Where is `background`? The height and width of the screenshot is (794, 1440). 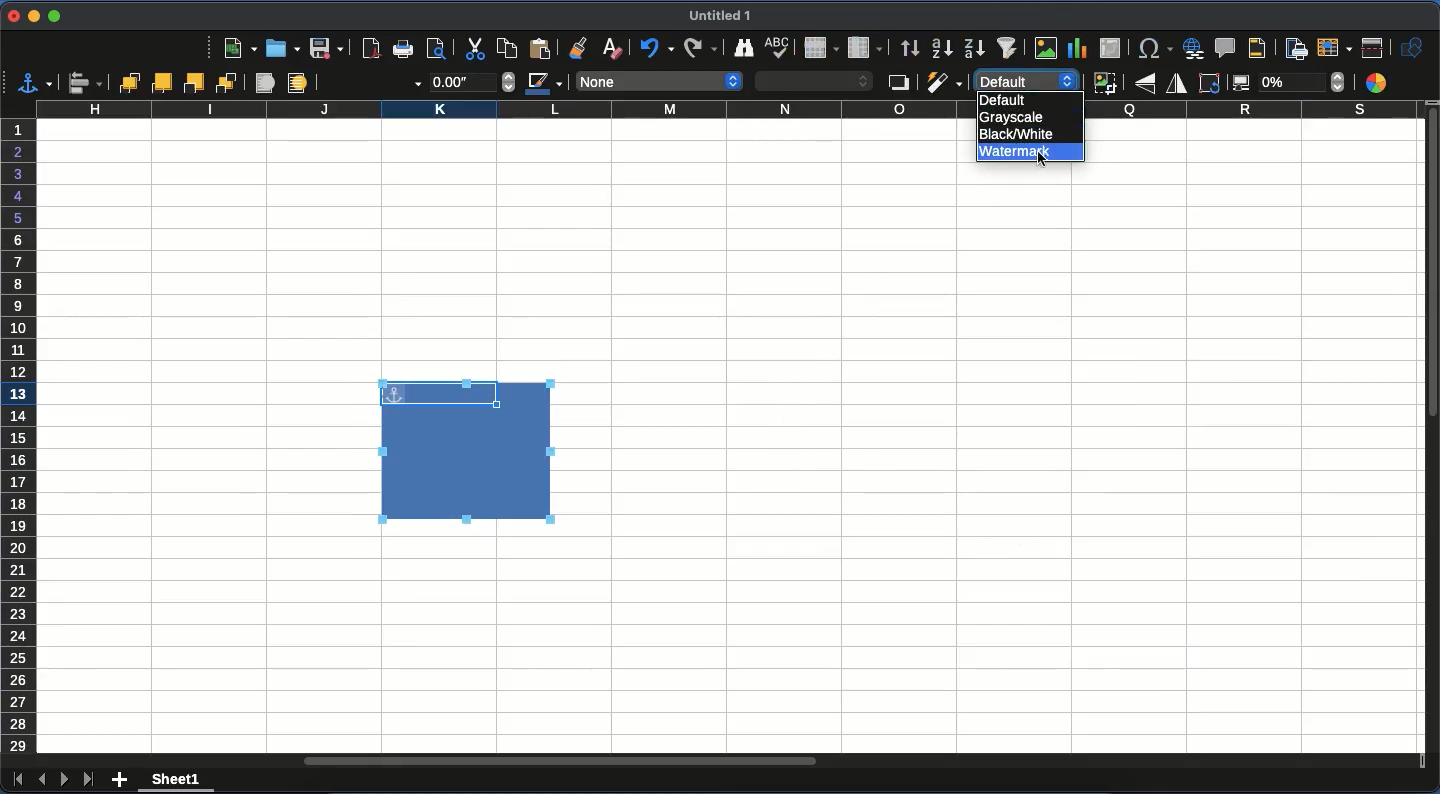 background is located at coordinates (297, 85).